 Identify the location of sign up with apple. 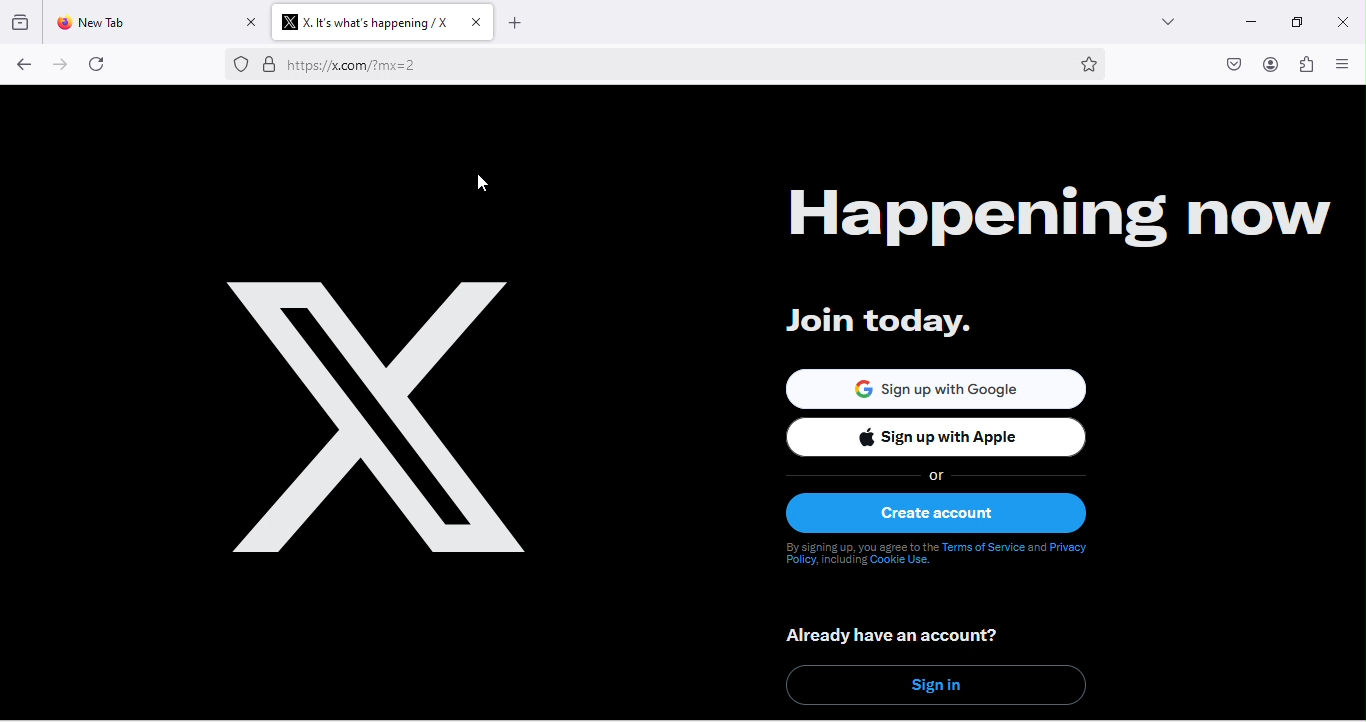
(946, 439).